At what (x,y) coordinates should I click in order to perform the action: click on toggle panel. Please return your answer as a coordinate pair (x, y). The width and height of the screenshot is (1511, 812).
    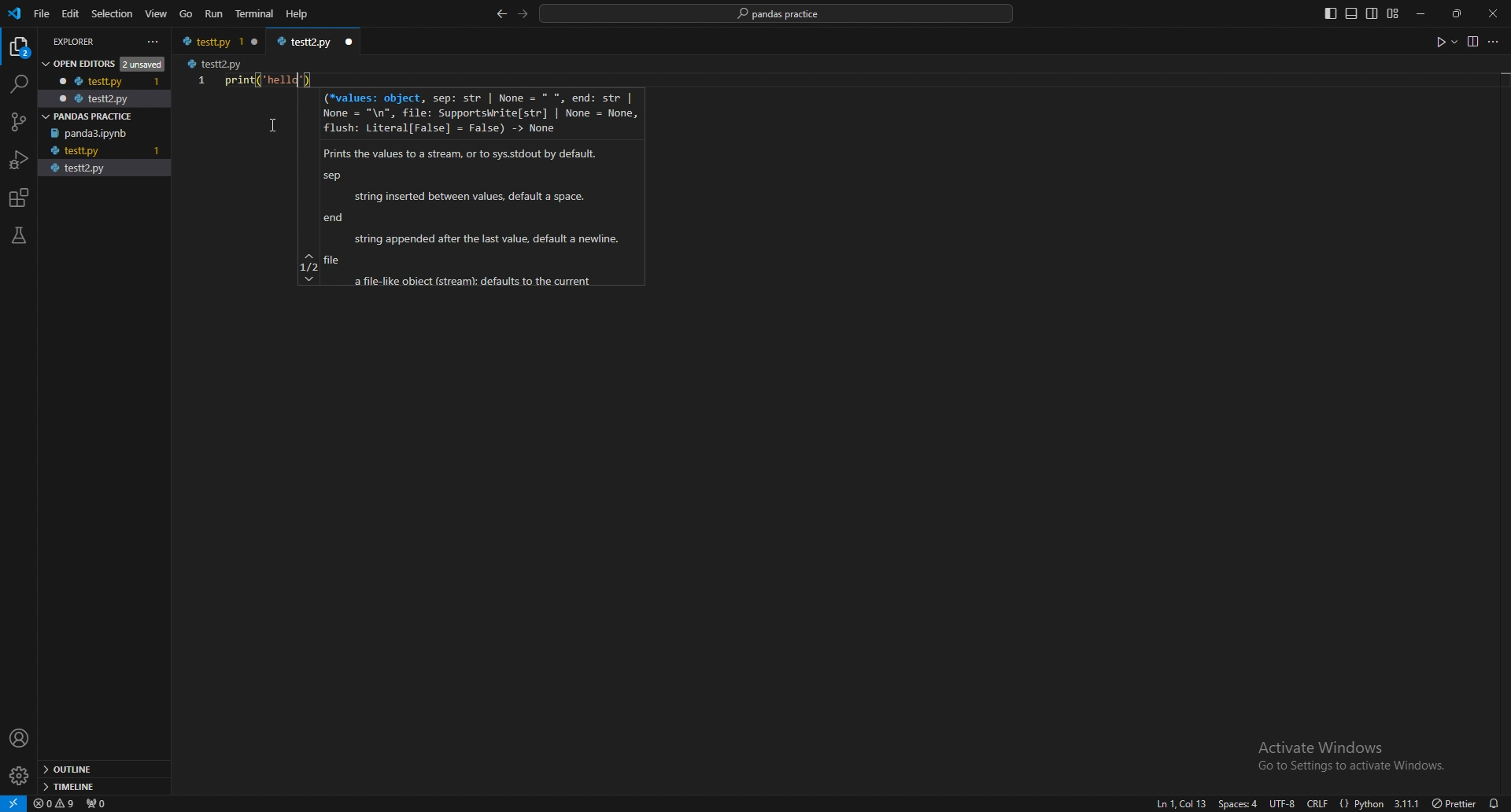
    Looking at the image, I should click on (1351, 14).